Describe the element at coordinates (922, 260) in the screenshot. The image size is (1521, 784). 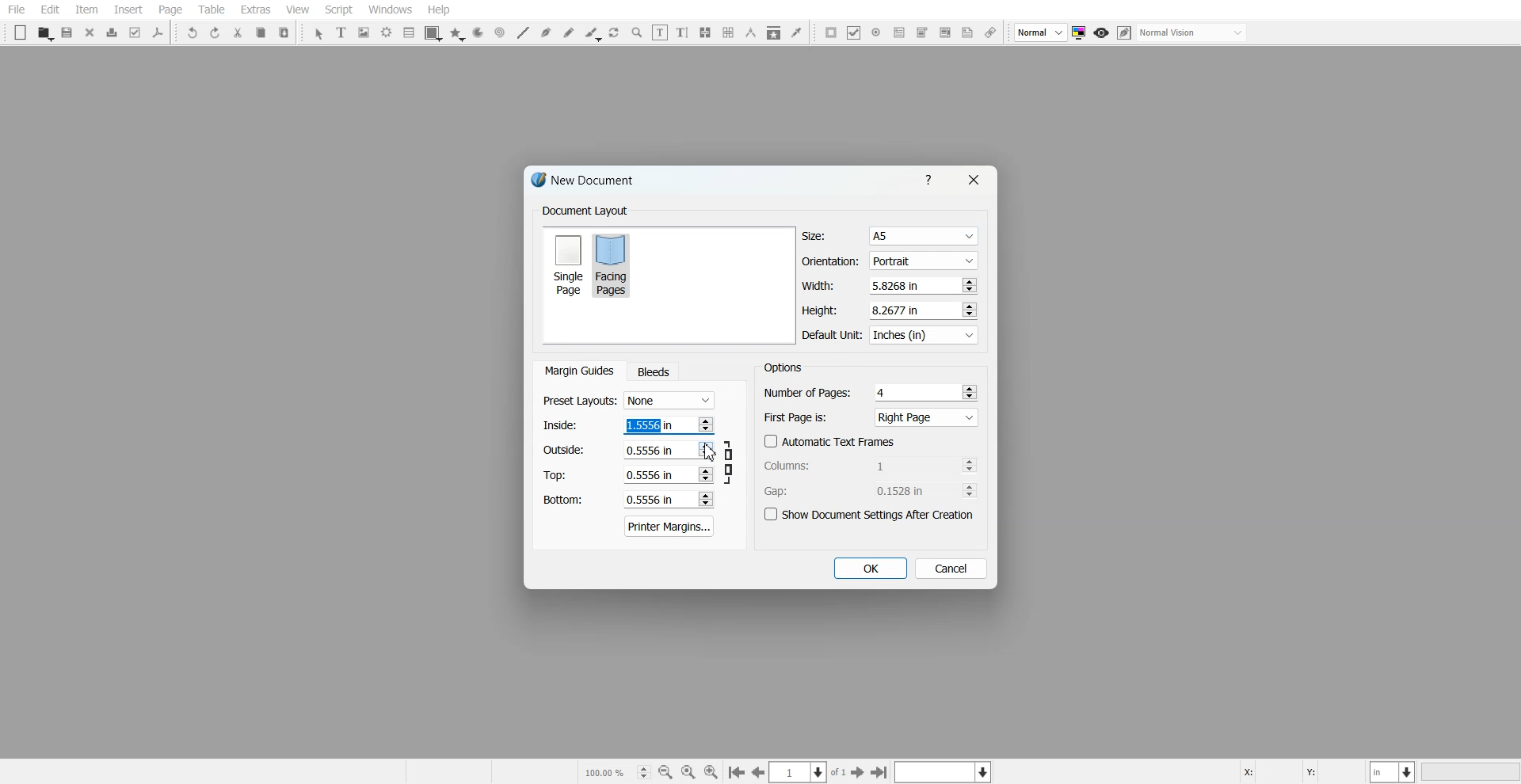
I see `Portrait` at that location.